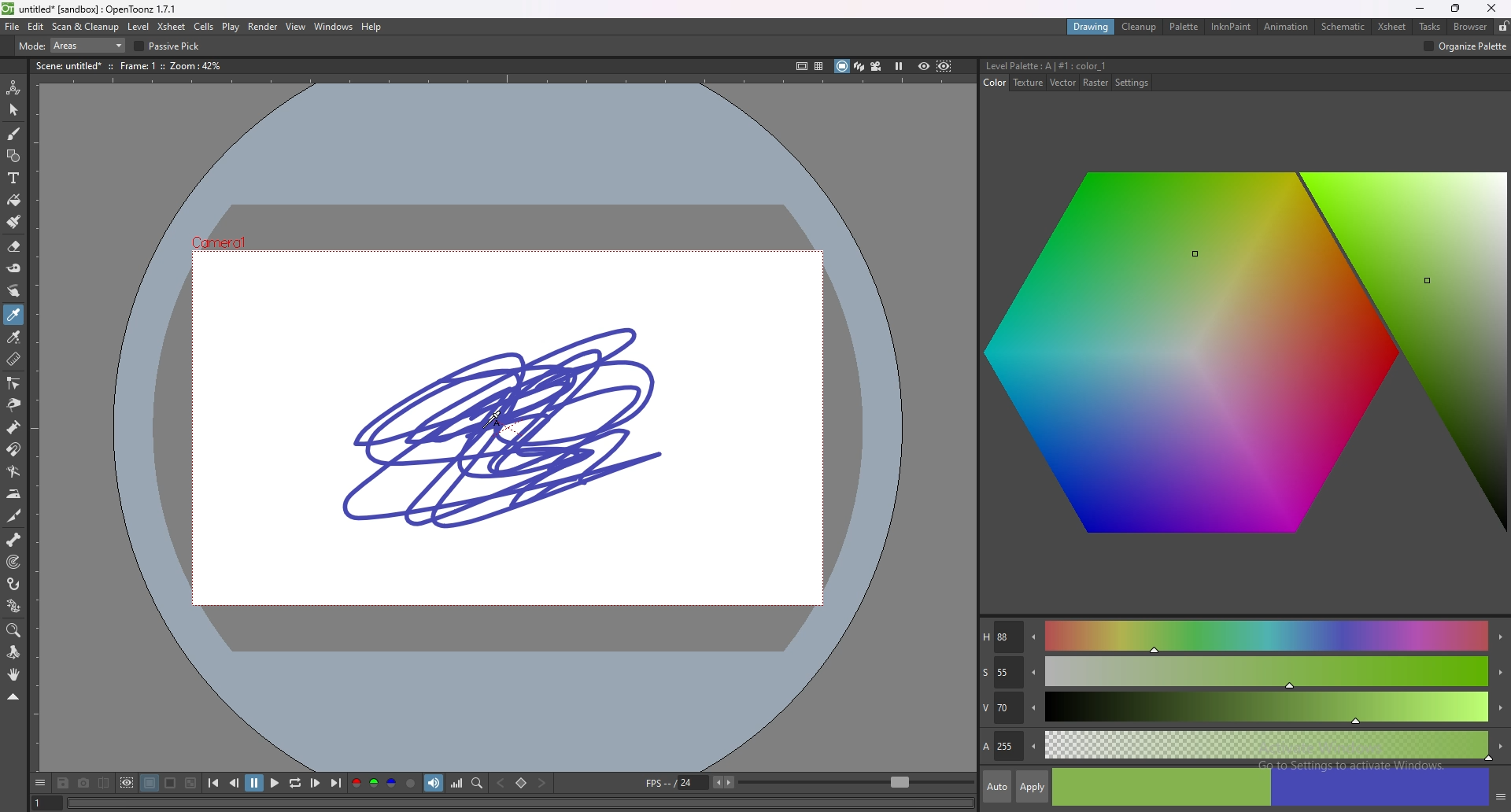 This screenshot has height=812, width=1511. I want to click on cells, so click(204, 27).